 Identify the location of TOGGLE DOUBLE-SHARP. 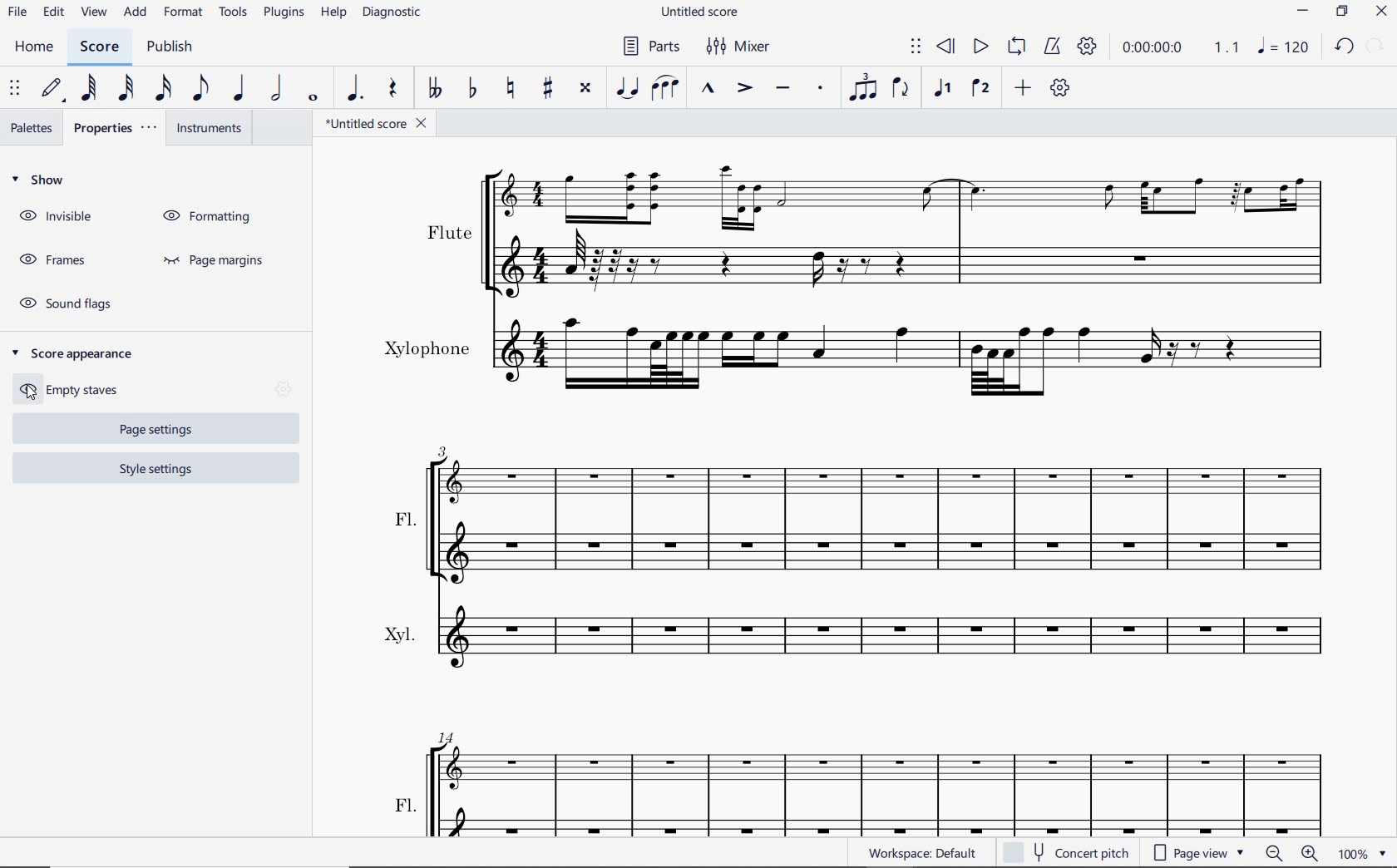
(587, 89).